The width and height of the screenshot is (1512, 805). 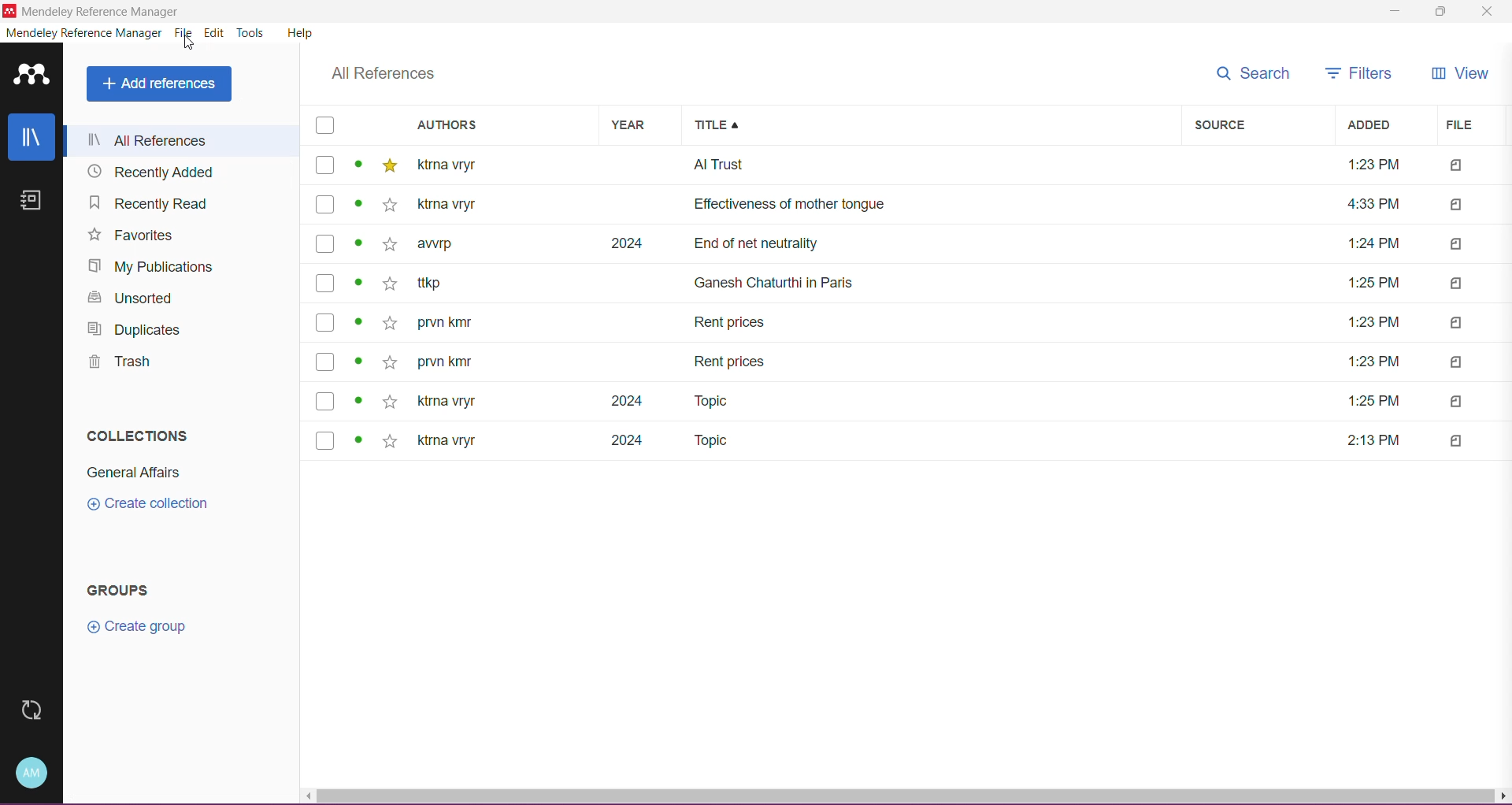 I want to click on Year, so click(x=643, y=126).